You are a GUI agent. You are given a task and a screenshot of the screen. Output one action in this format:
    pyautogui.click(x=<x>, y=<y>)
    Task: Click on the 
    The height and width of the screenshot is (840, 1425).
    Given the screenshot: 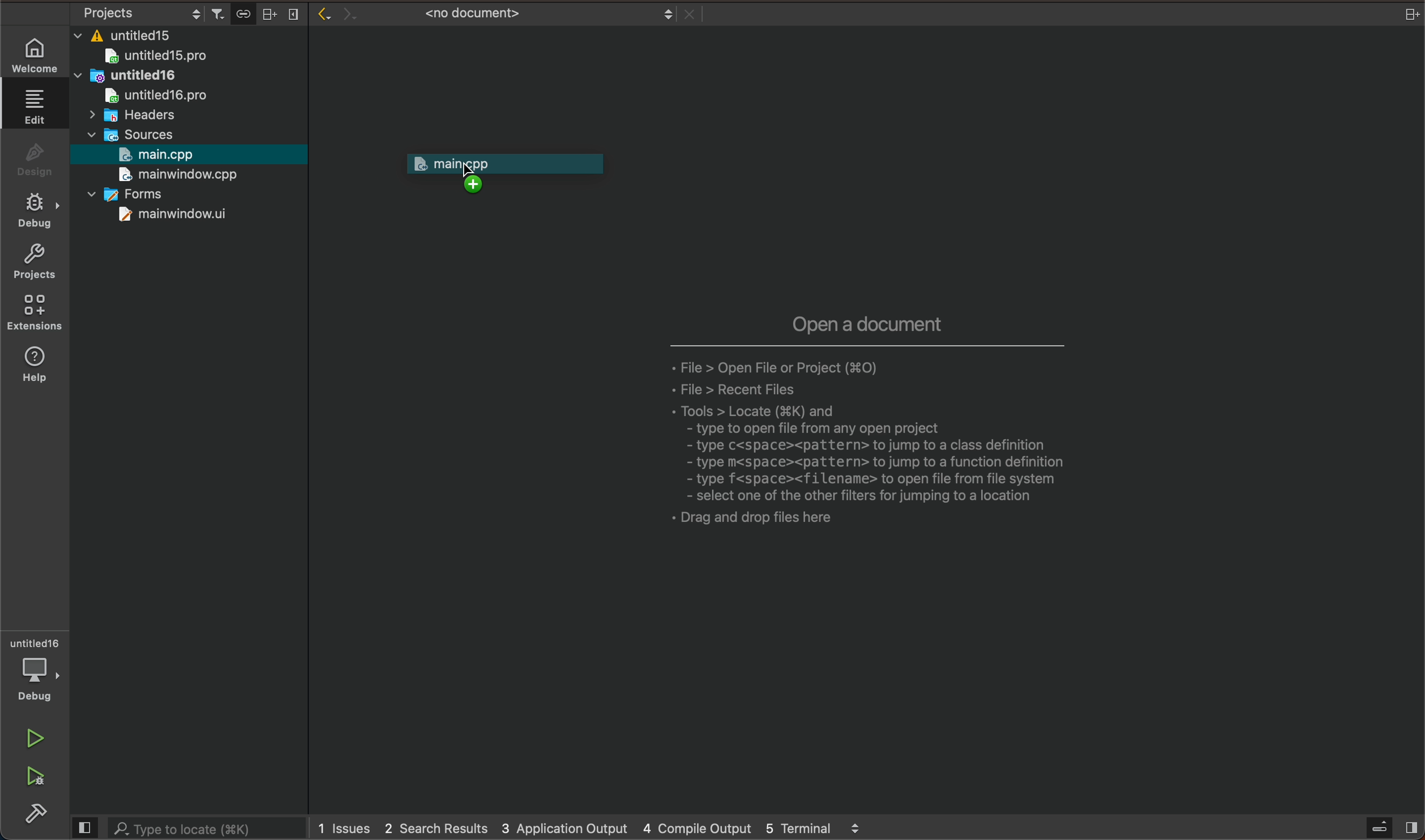 What is the action you would take?
    pyautogui.click(x=244, y=14)
    